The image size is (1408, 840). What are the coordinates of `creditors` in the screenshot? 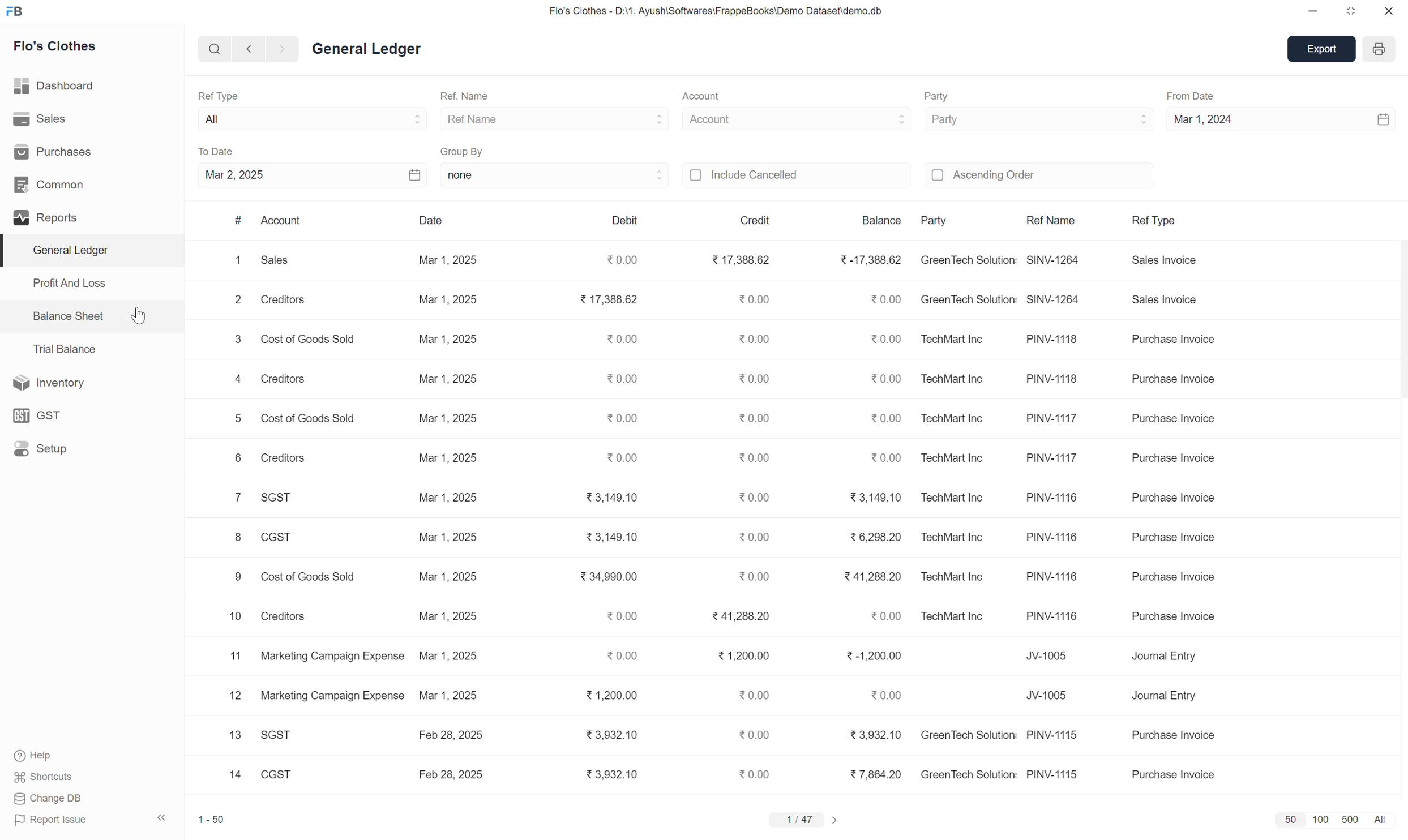 It's located at (283, 379).